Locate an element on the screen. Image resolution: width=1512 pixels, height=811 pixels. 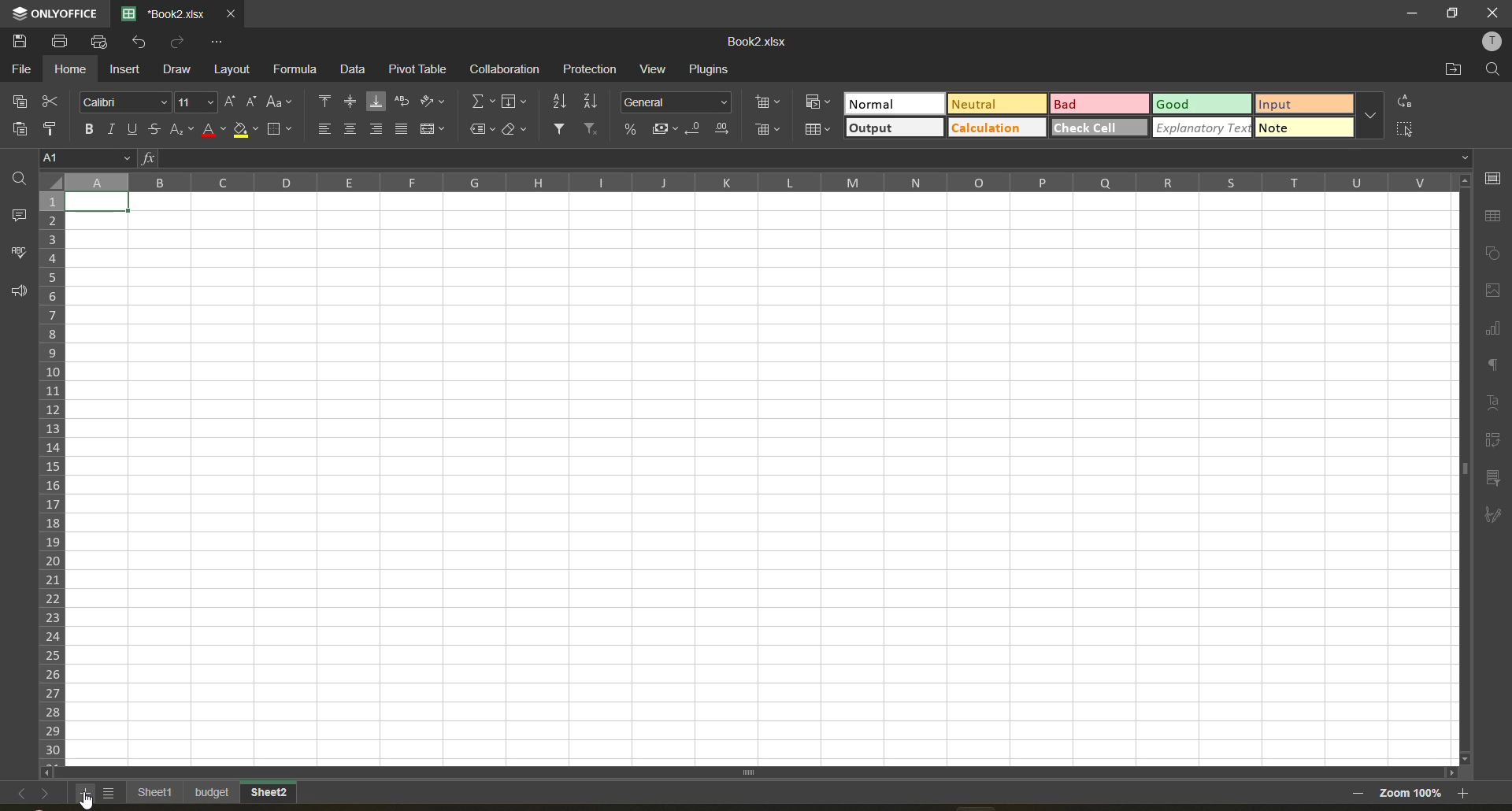
close is located at coordinates (1495, 12).